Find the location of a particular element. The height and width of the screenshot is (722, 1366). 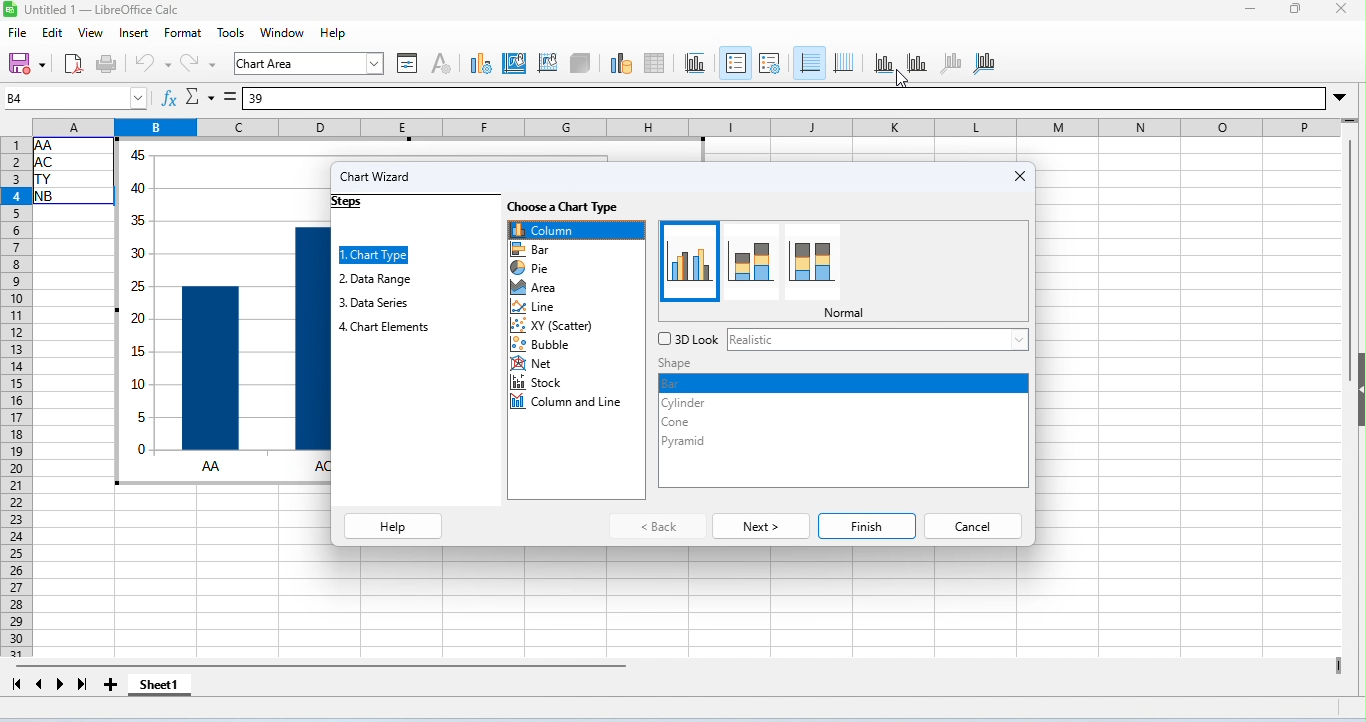

legends on/ off is located at coordinates (737, 64).